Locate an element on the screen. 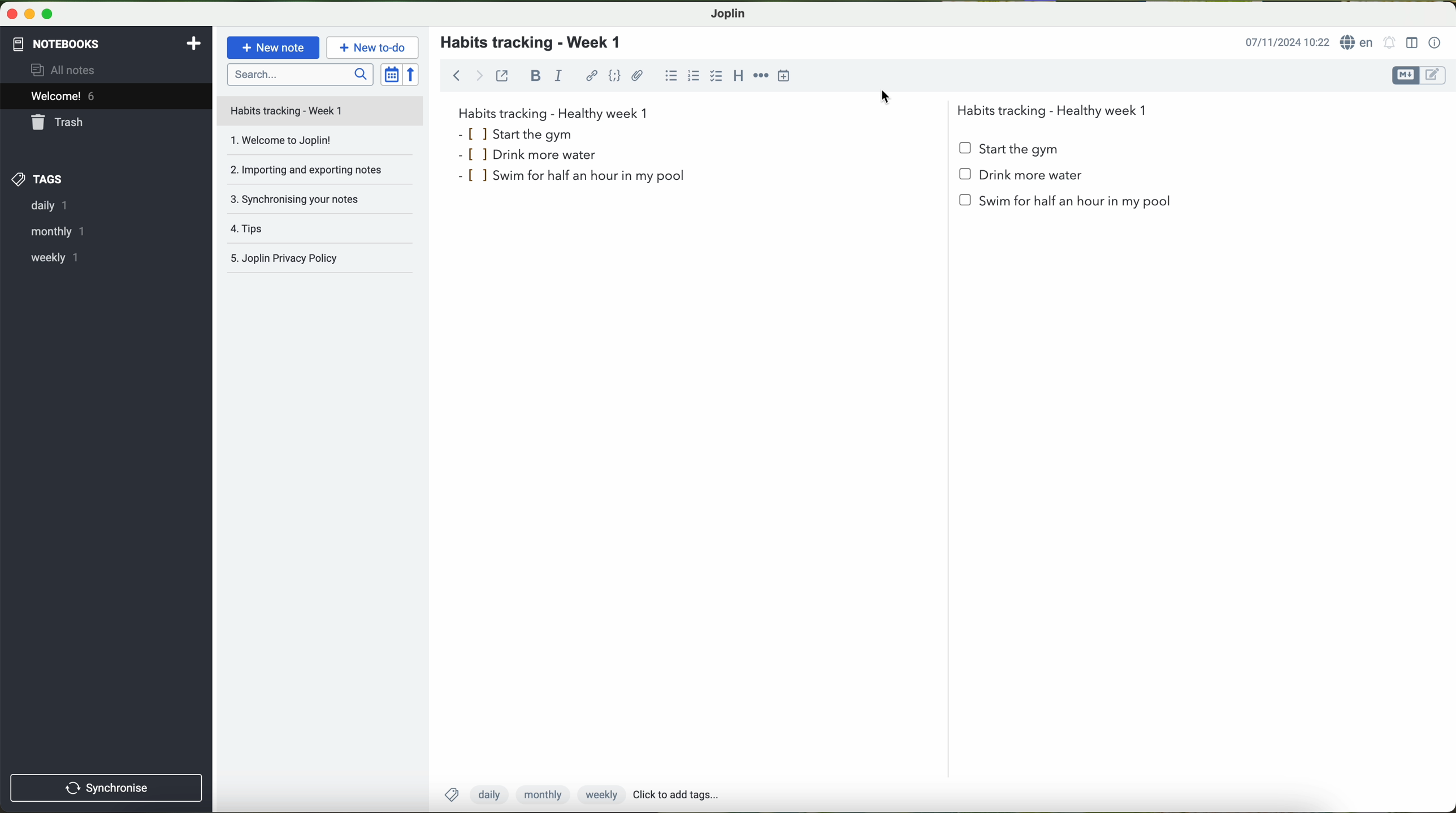 The width and height of the screenshot is (1456, 813). reverse sort order is located at coordinates (412, 74).